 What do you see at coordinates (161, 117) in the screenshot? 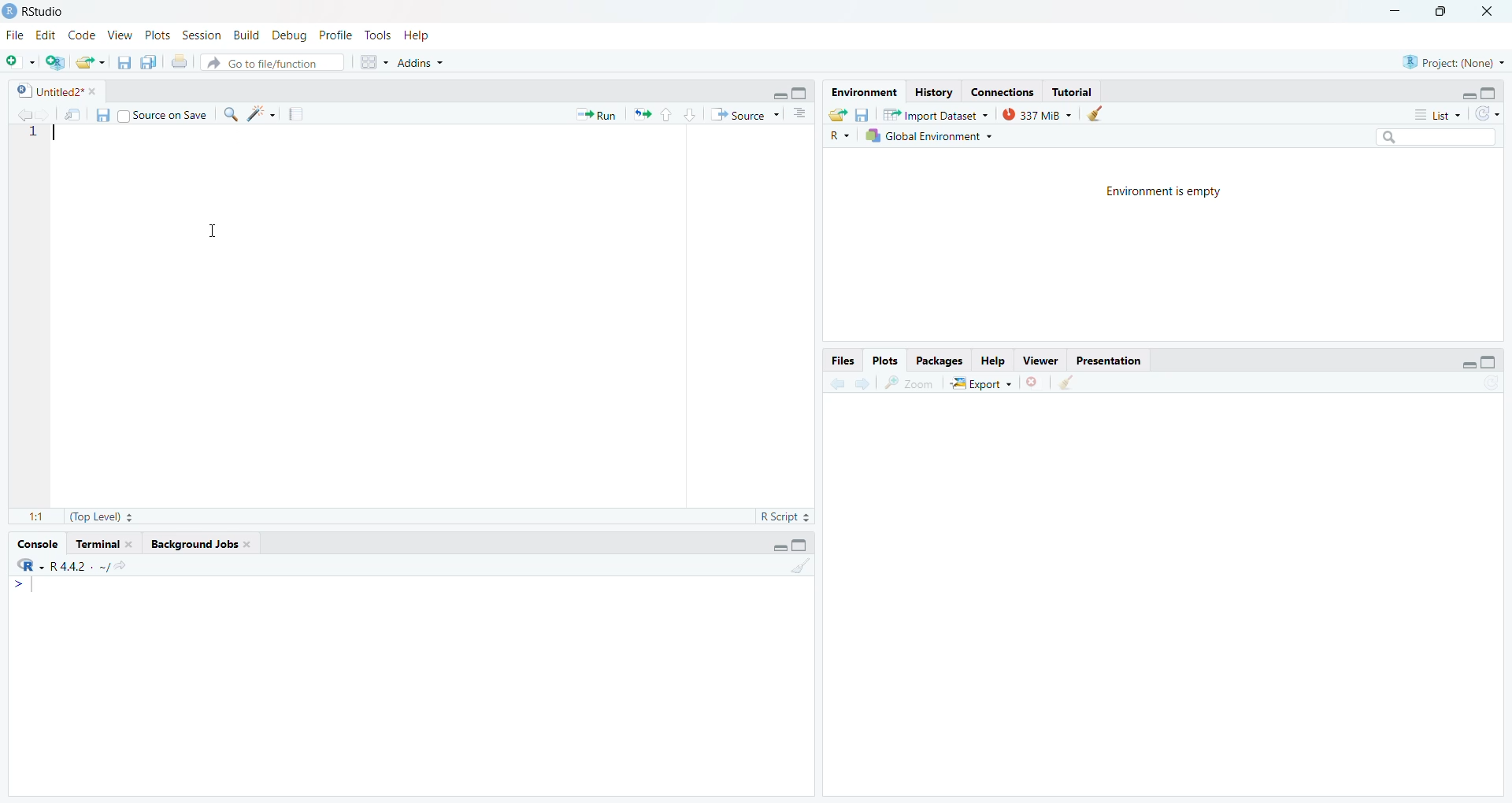
I see `Source on Save` at bounding box center [161, 117].